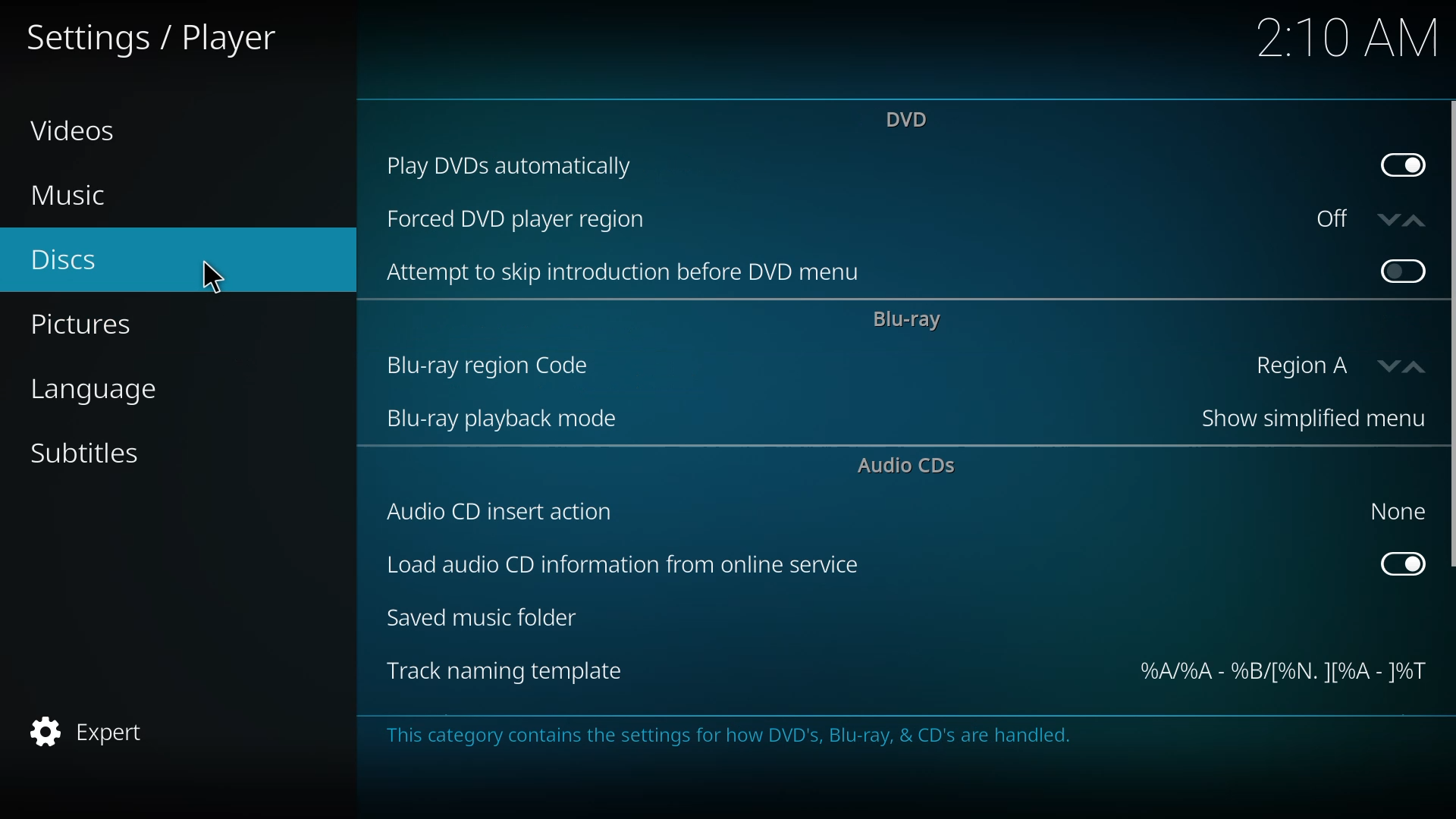 This screenshot has height=819, width=1456. I want to click on enabled, so click(1397, 166).